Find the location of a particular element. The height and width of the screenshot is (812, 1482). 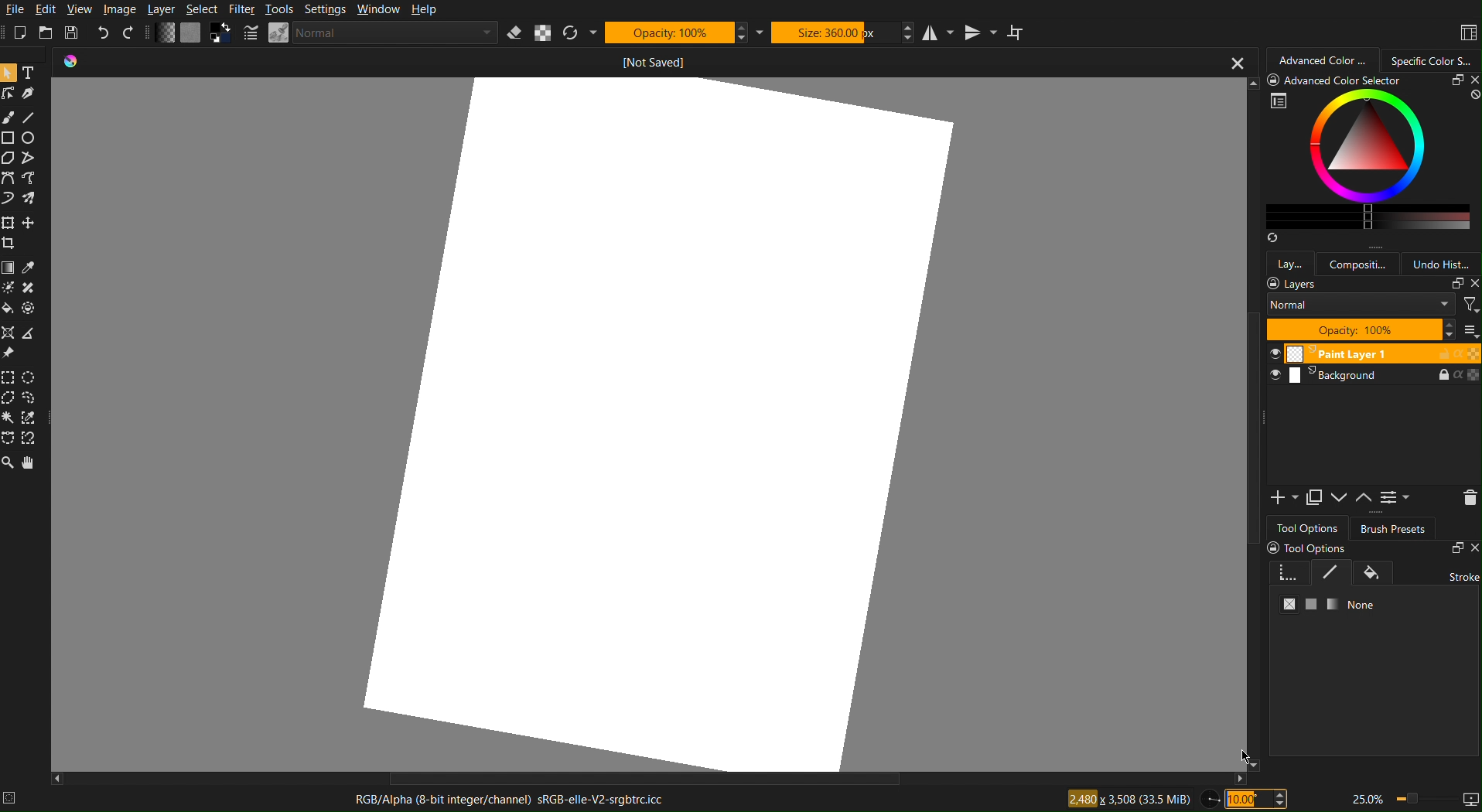

Vertical Mirror is located at coordinates (979, 32).